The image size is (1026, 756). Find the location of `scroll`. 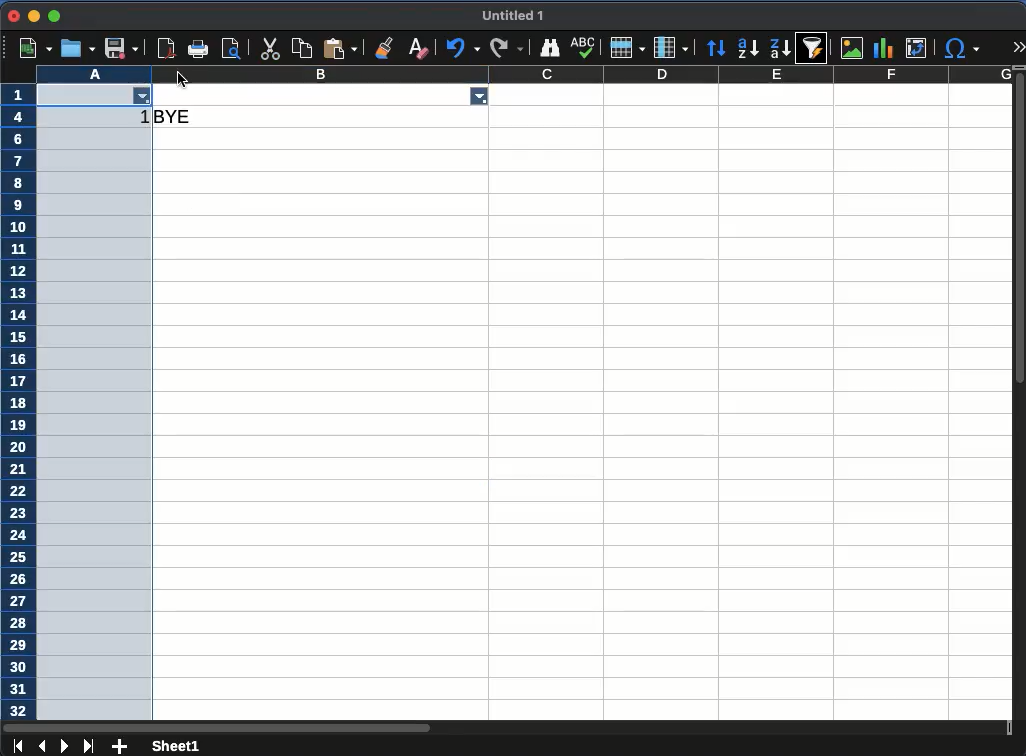

scroll is located at coordinates (505, 725).